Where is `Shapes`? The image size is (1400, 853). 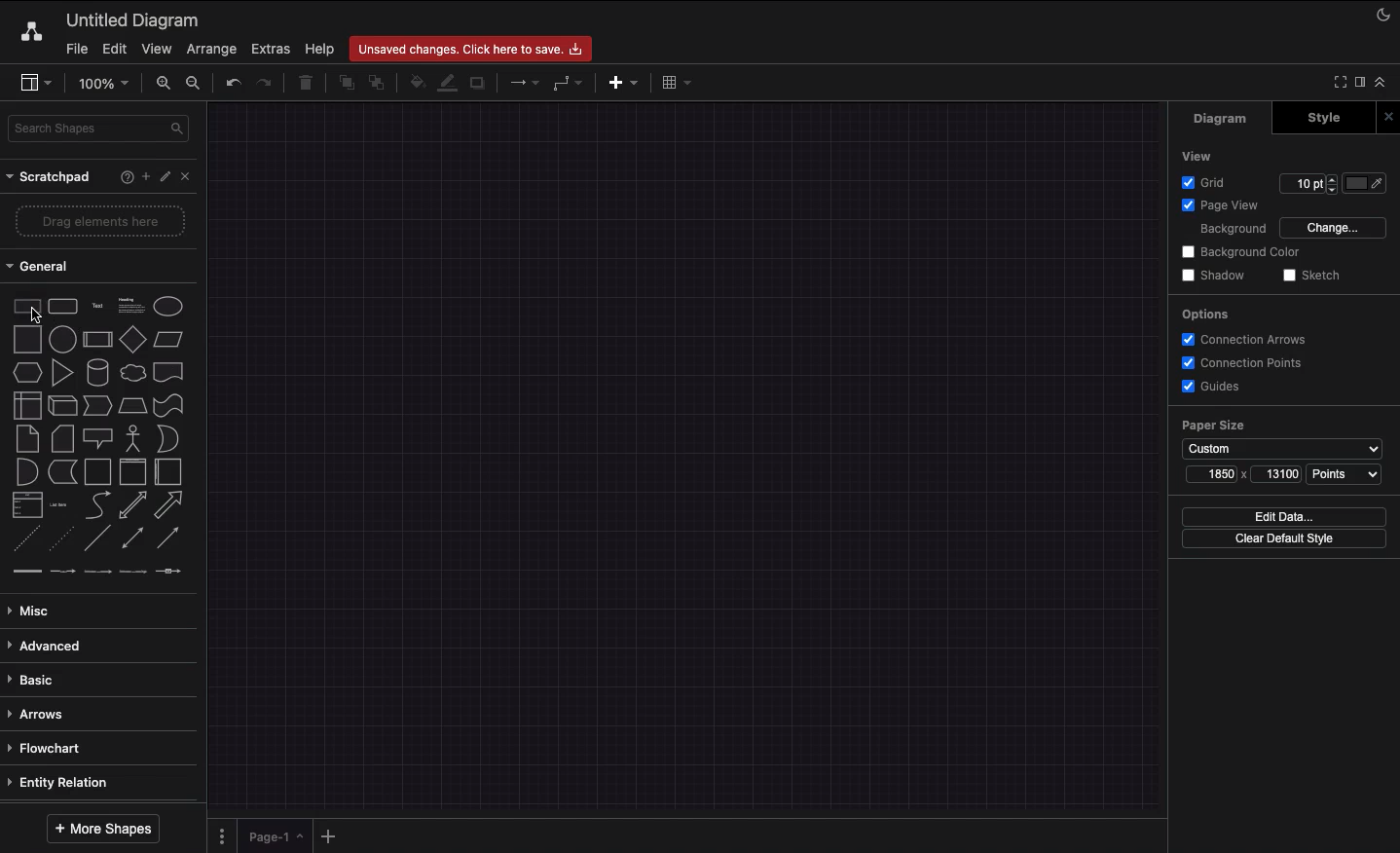 Shapes is located at coordinates (99, 442).